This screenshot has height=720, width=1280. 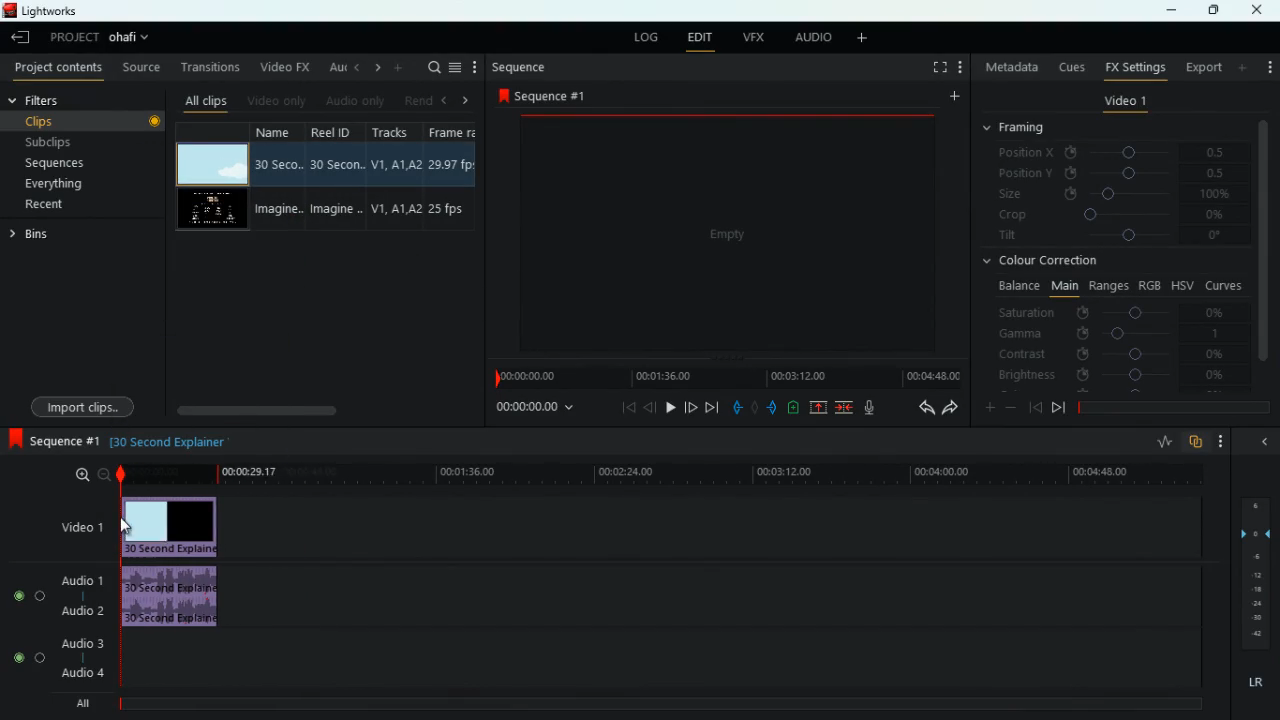 What do you see at coordinates (1151, 284) in the screenshot?
I see `rgb` at bounding box center [1151, 284].